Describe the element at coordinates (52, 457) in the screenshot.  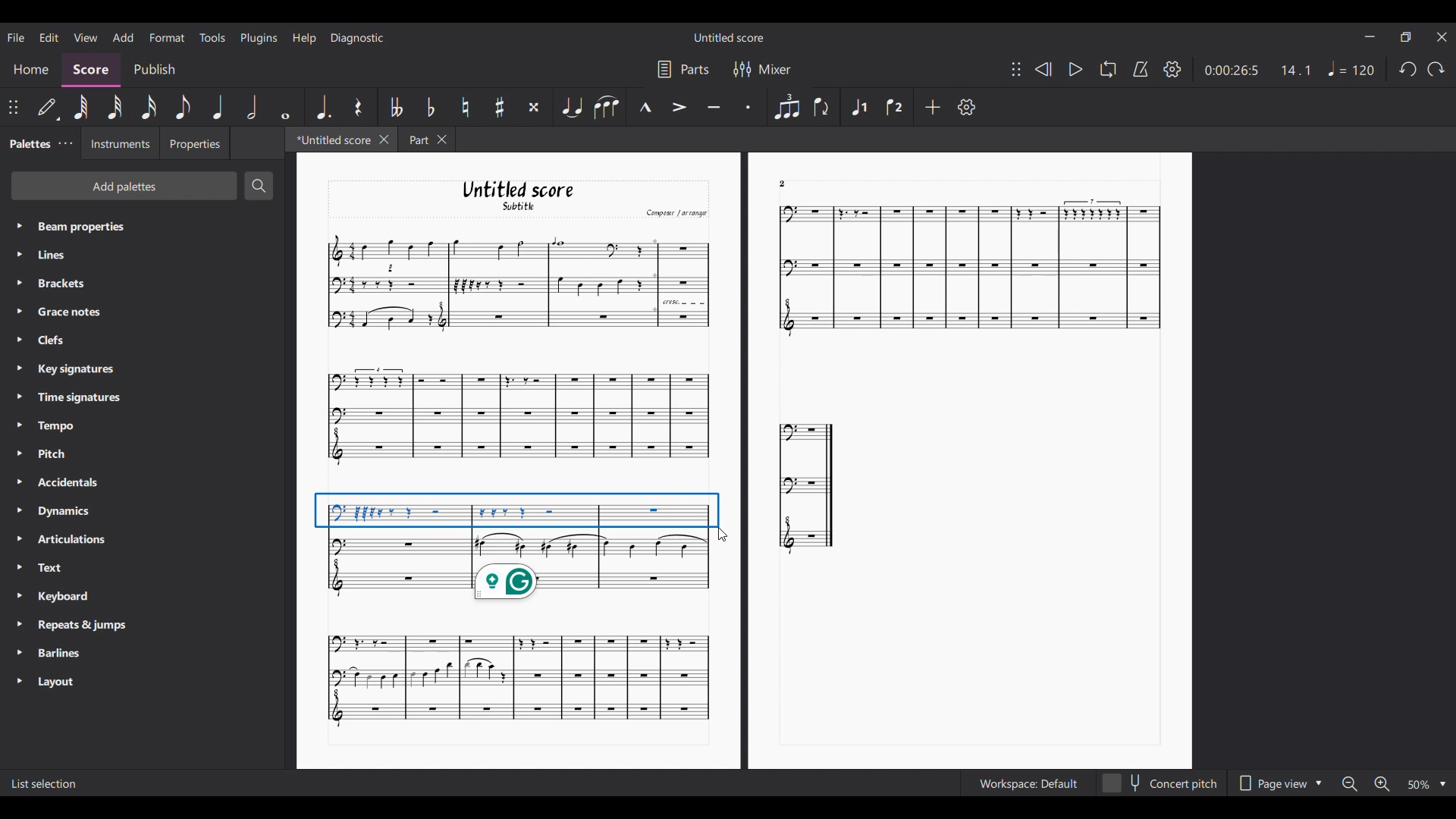
I see `> Pitch` at that location.